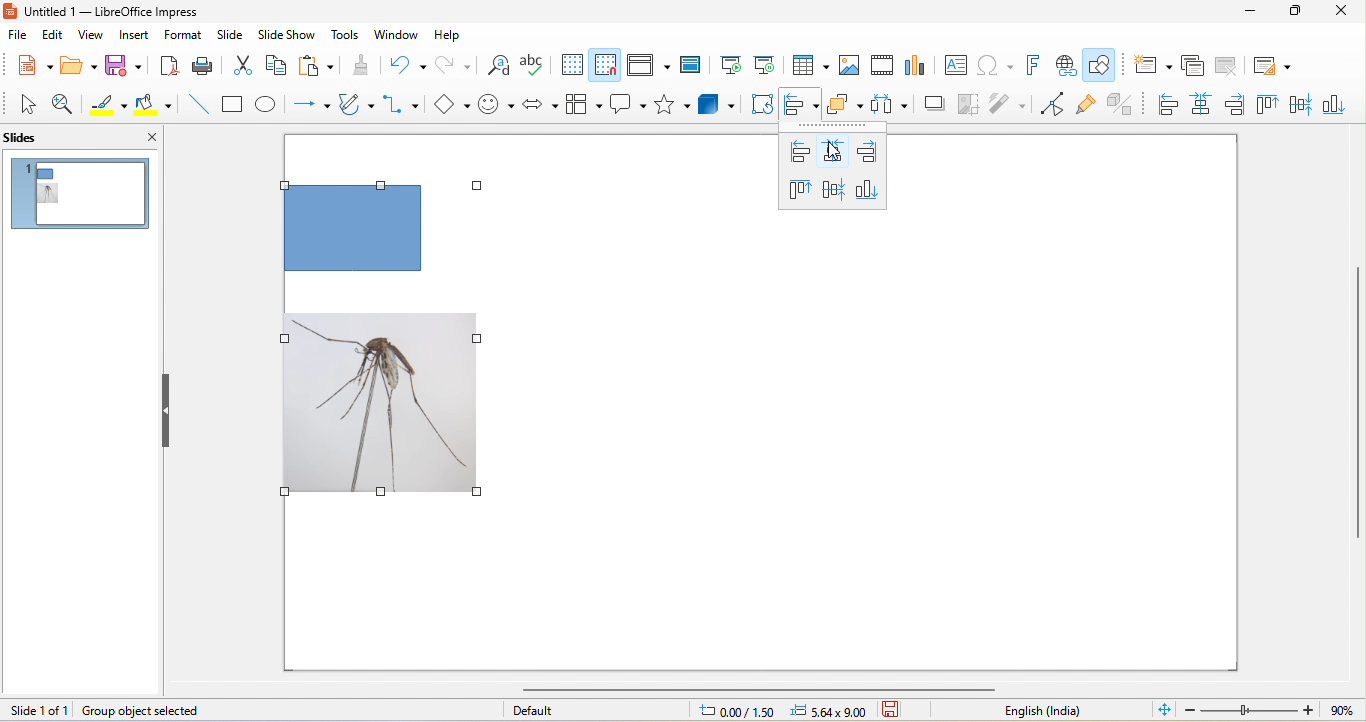  Describe the element at coordinates (1230, 66) in the screenshot. I see `delete slide` at that location.